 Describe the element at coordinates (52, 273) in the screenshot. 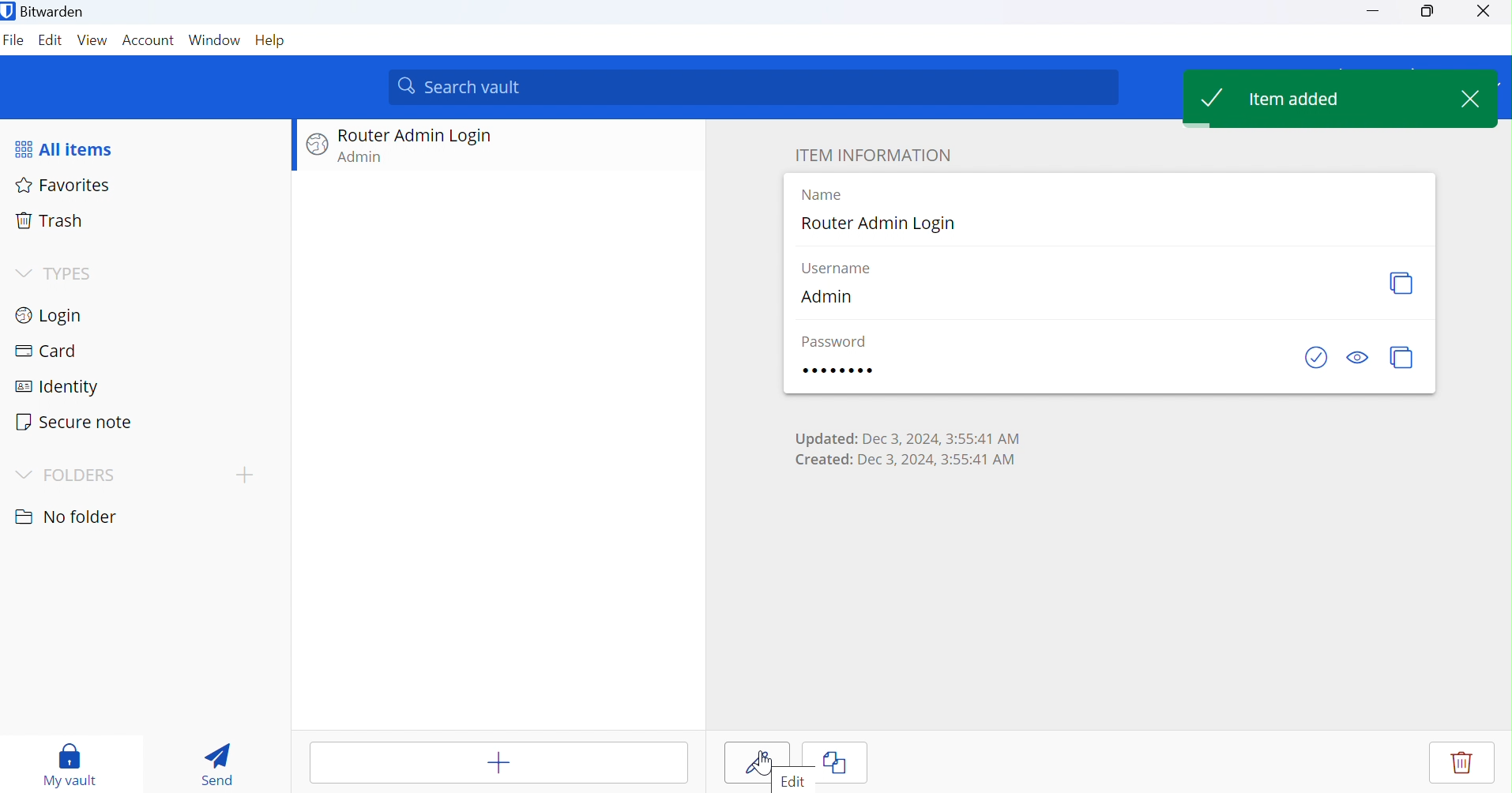

I see `TYPES` at that location.